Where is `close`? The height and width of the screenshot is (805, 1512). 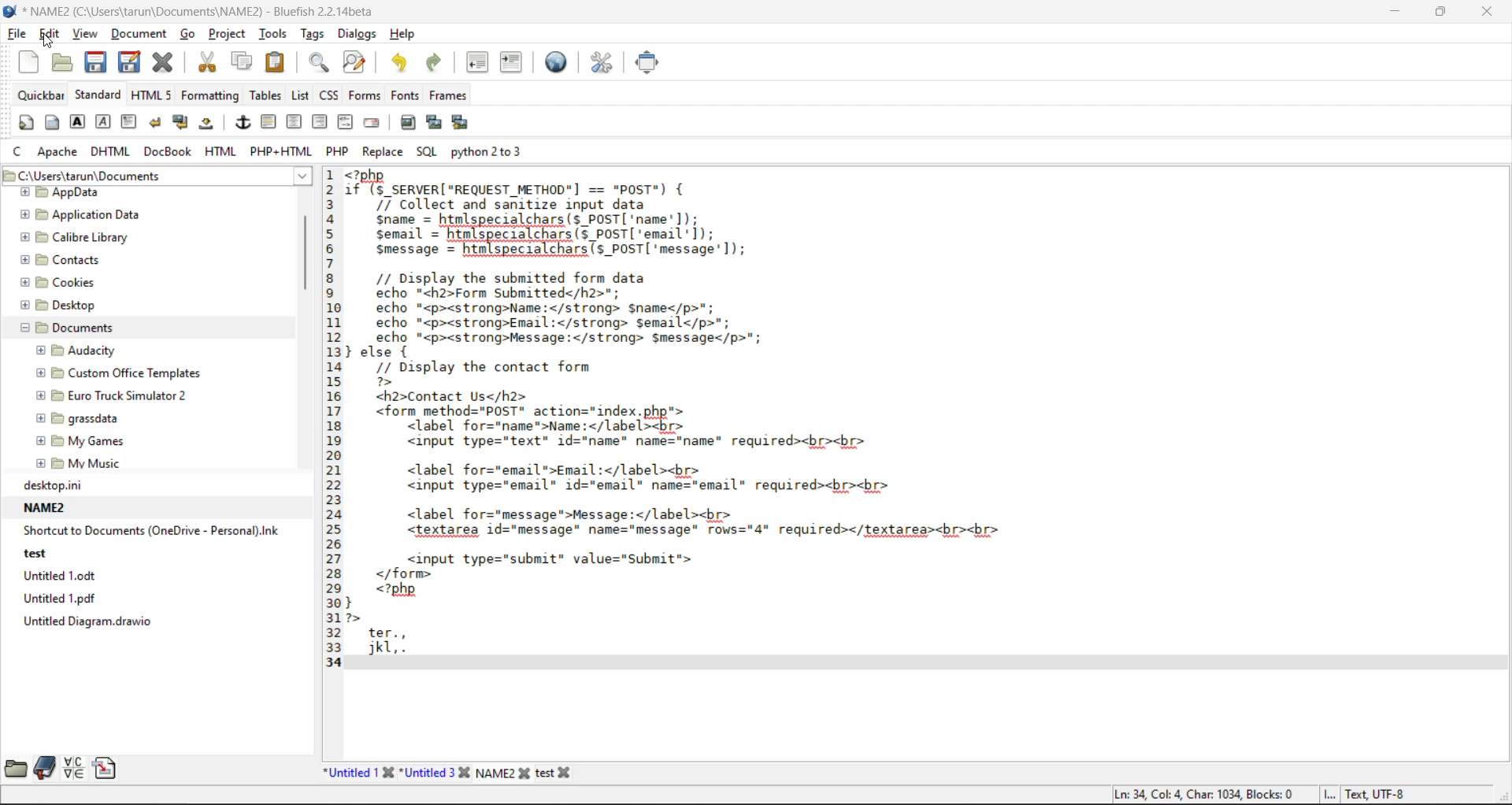 close is located at coordinates (1492, 13).